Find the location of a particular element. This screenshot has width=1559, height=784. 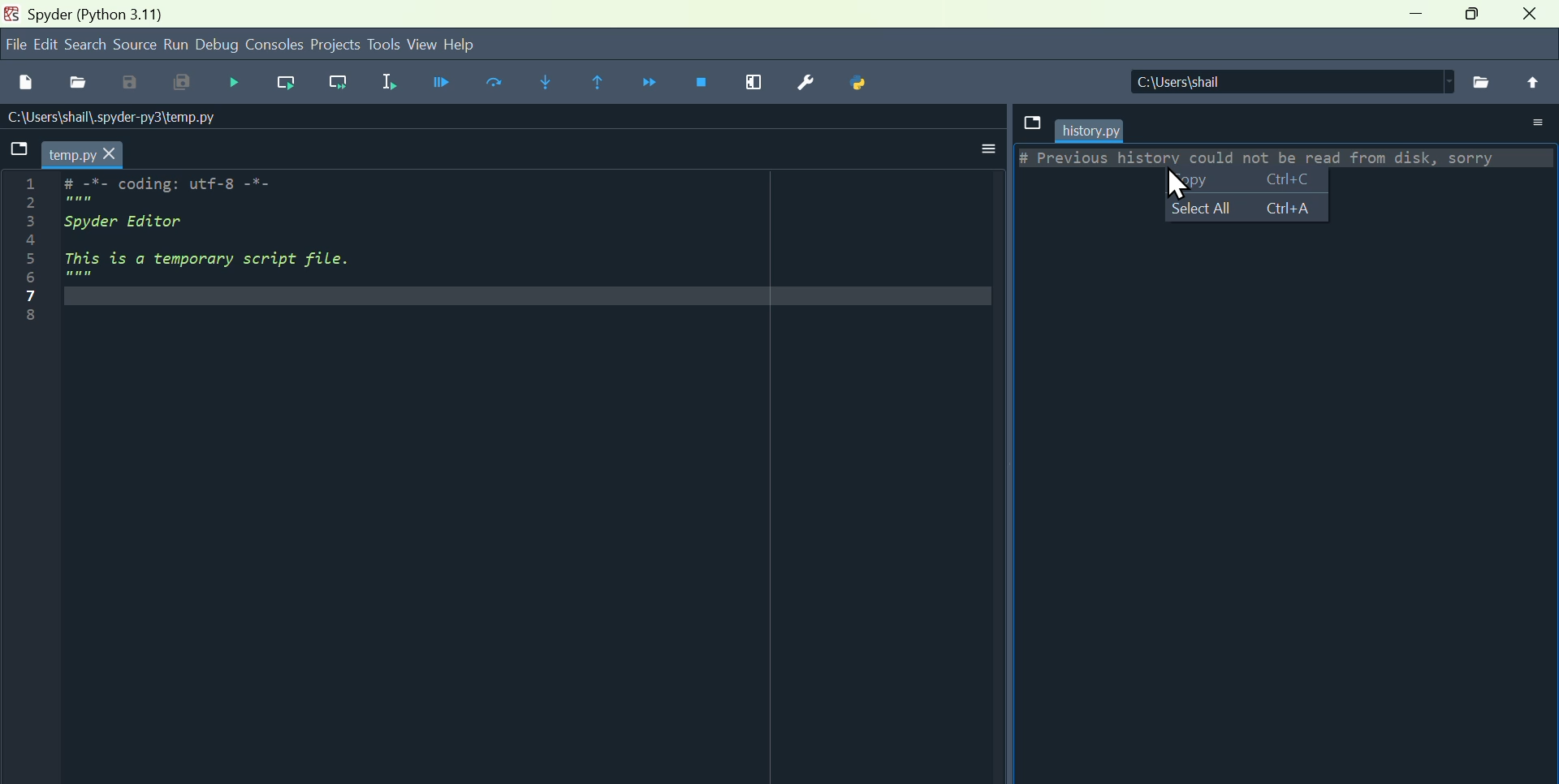

Select All is located at coordinates (1246, 207).